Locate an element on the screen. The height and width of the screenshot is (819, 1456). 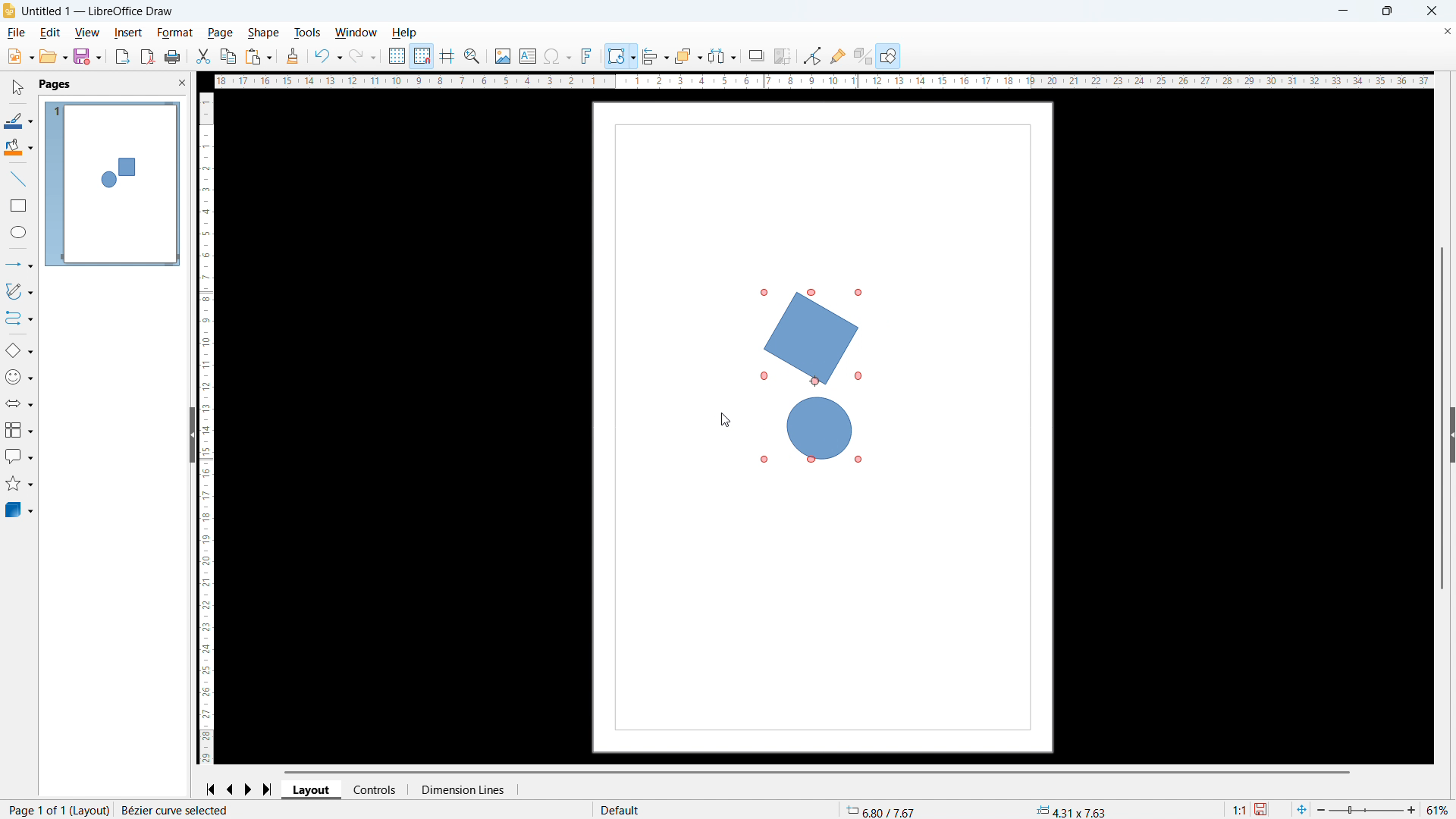
Page display  is located at coordinates (113, 184).